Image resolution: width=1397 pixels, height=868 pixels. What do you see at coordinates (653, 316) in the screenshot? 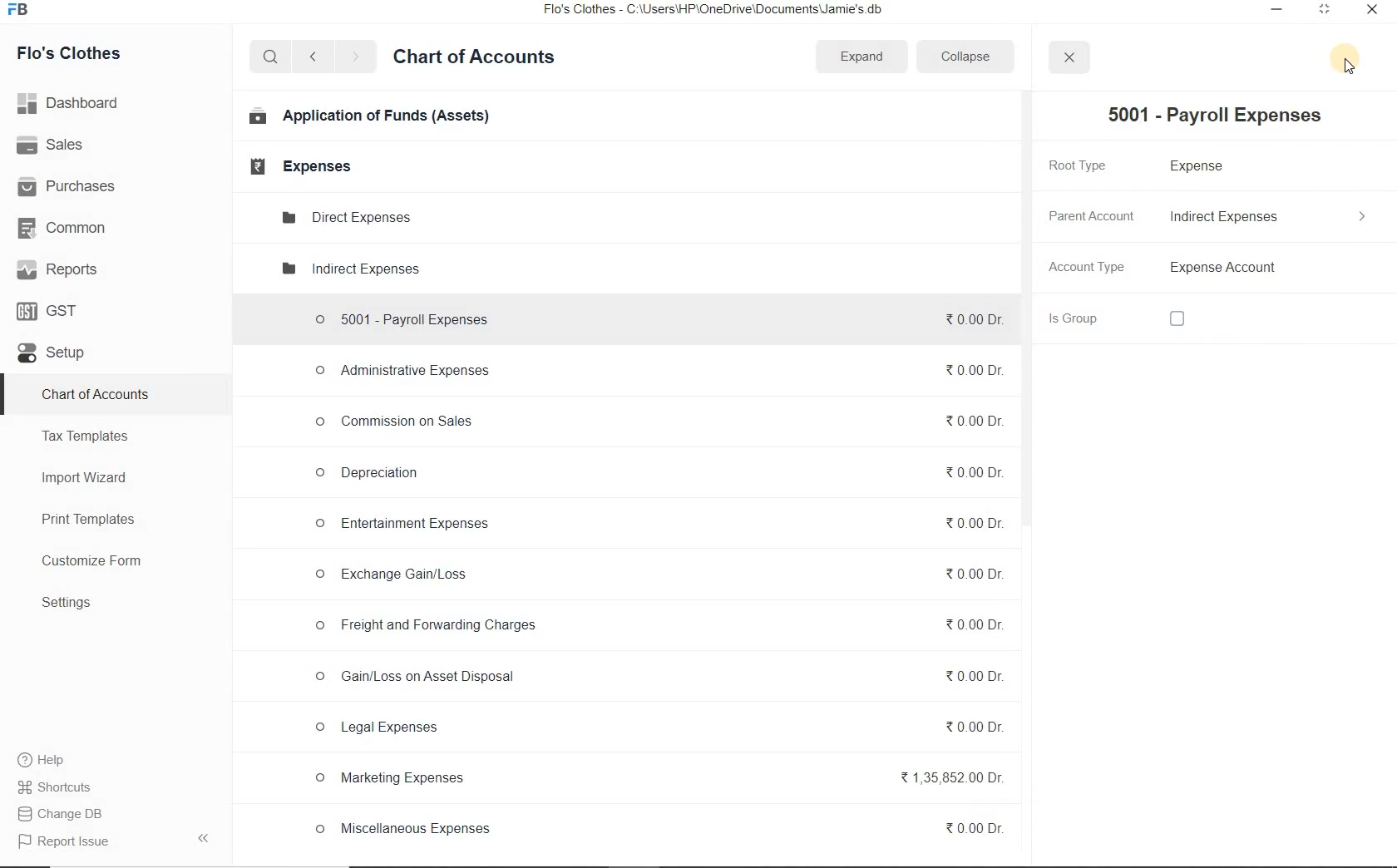
I see `5001 - Payroll Expenses 0.00 Dr` at bounding box center [653, 316].